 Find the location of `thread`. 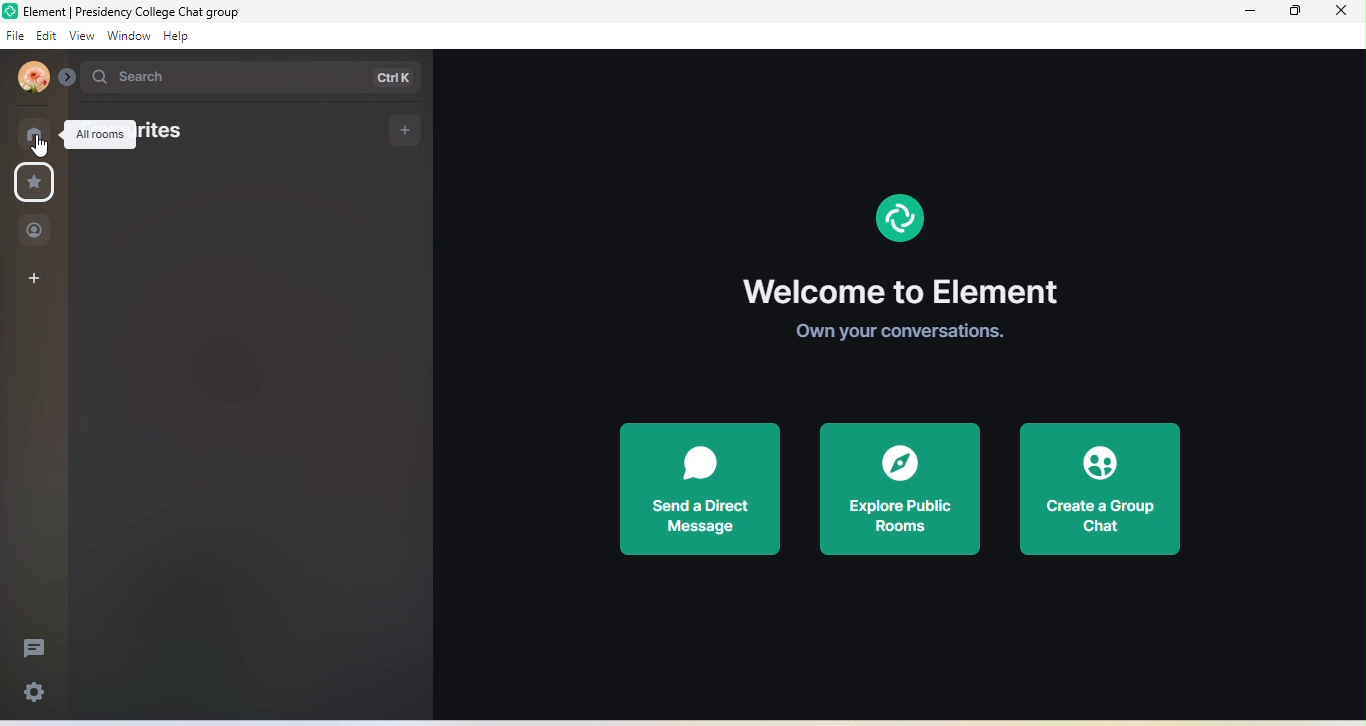

thread is located at coordinates (33, 649).